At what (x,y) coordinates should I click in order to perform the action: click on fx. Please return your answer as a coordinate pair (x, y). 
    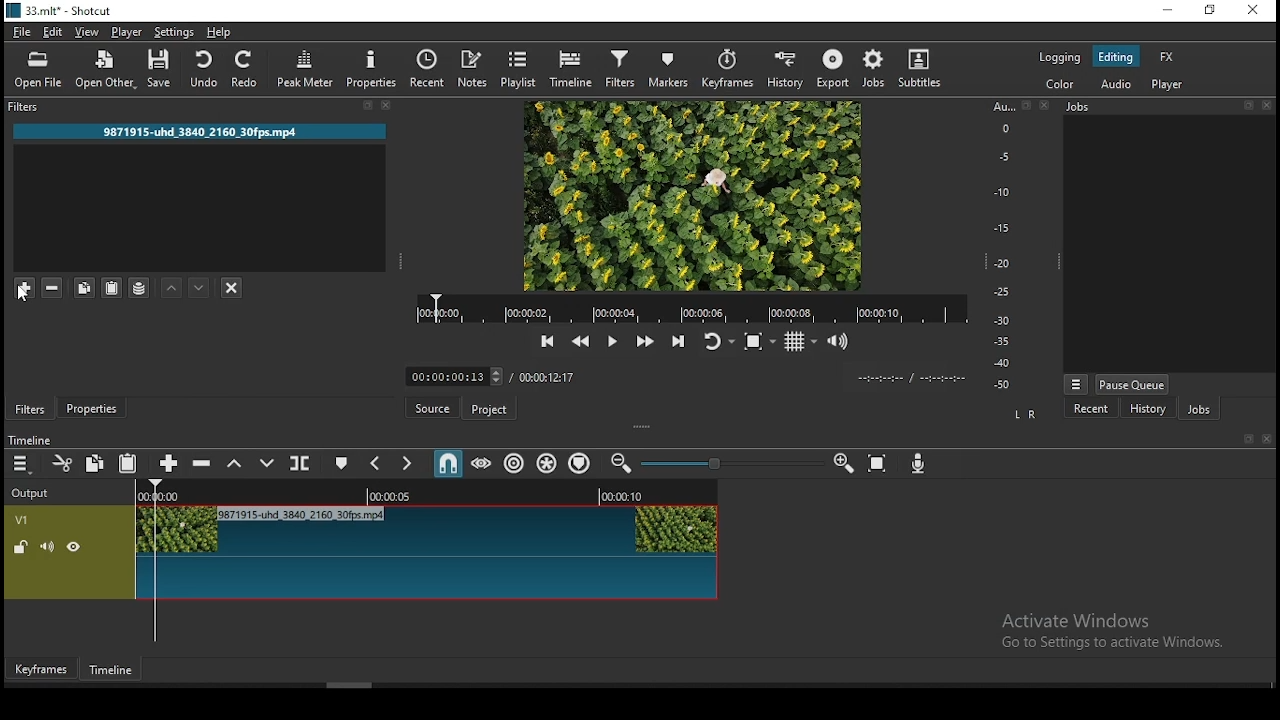
    Looking at the image, I should click on (1166, 55).